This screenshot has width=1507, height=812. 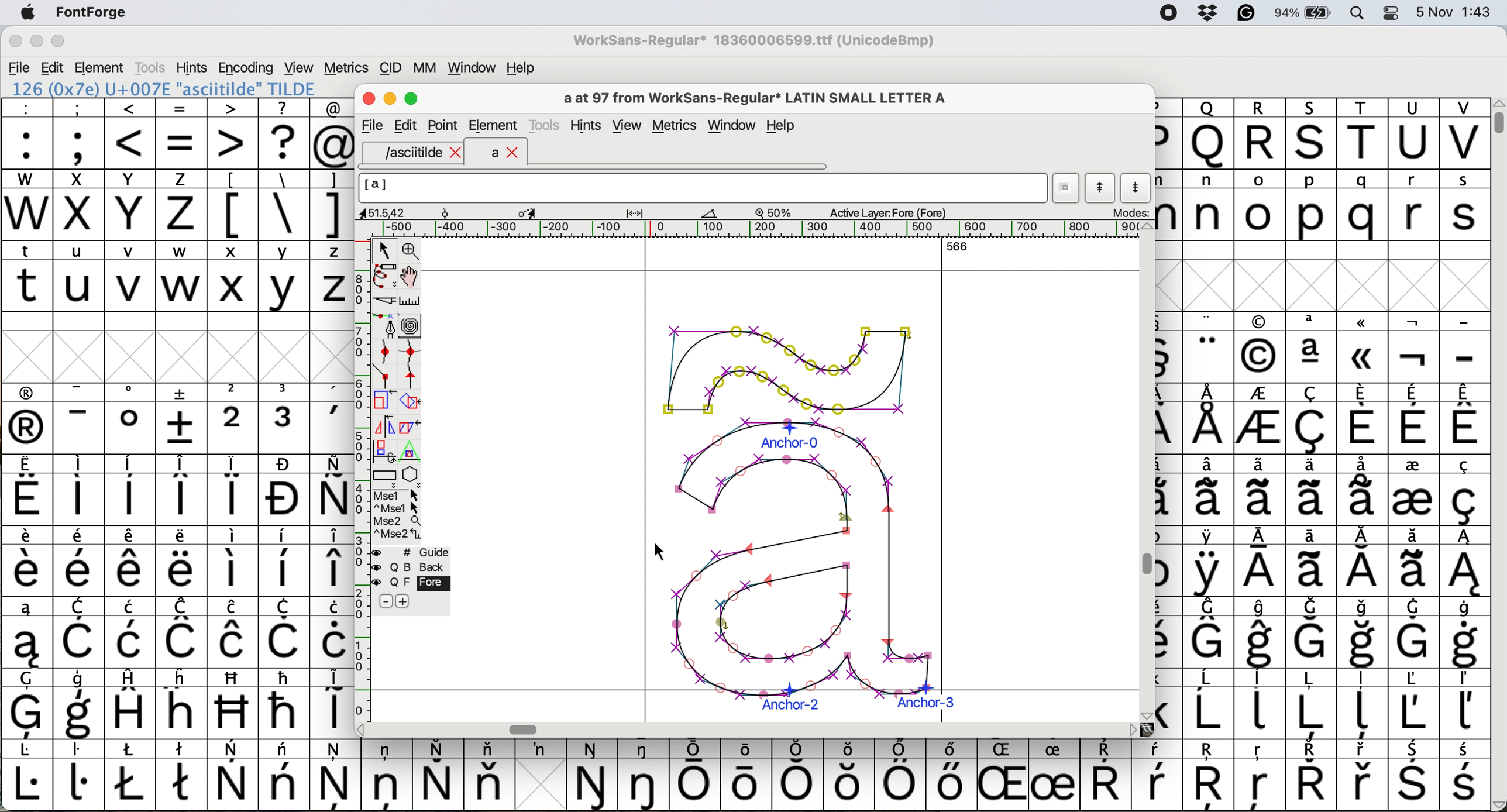 What do you see at coordinates (777, 212) in the screenshot?
I see `zoom scale` at bounding box center [777, 212].